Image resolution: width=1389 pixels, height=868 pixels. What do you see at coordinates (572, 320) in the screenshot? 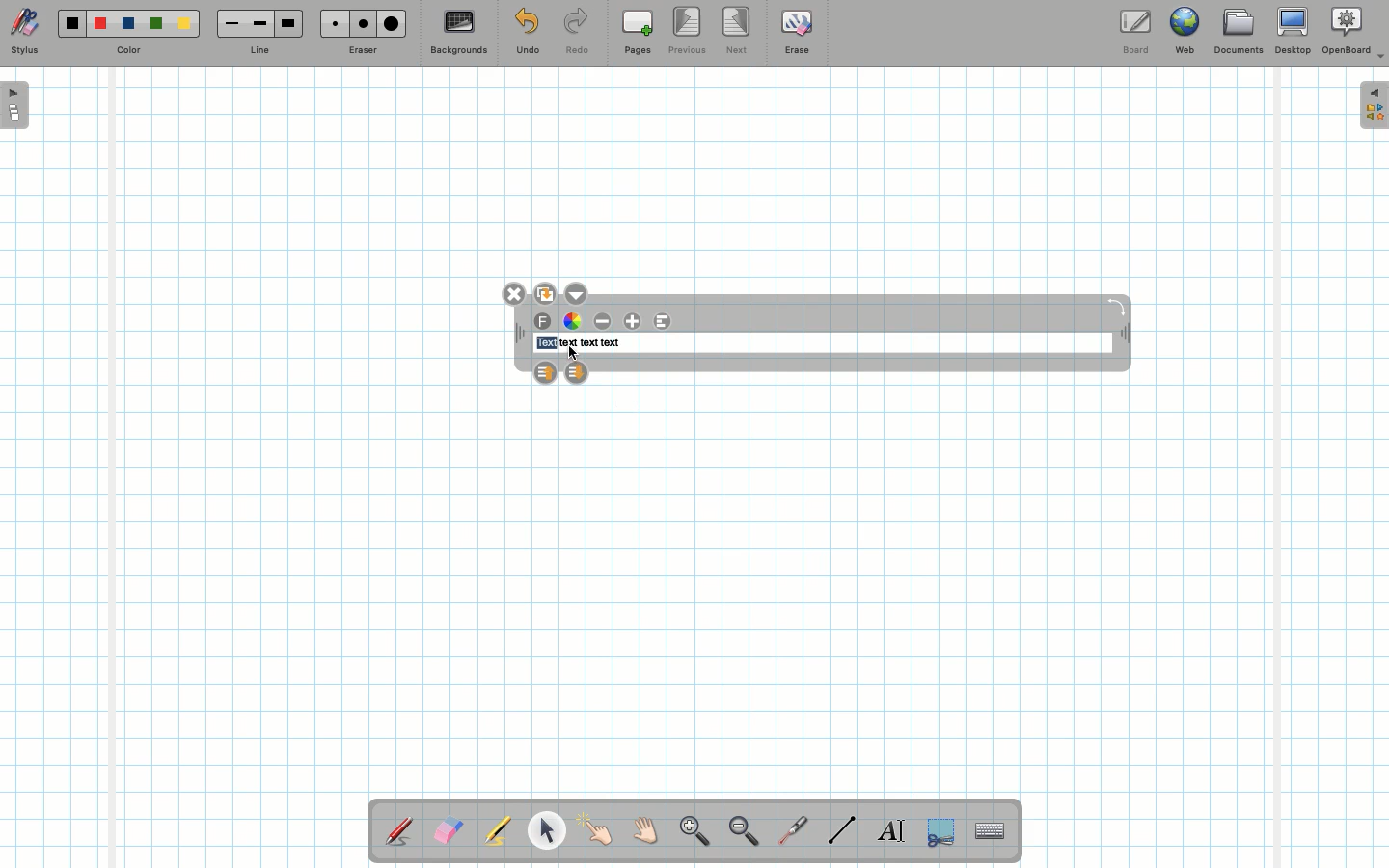
I see `Color wheel` at bounding box center [572, 320].